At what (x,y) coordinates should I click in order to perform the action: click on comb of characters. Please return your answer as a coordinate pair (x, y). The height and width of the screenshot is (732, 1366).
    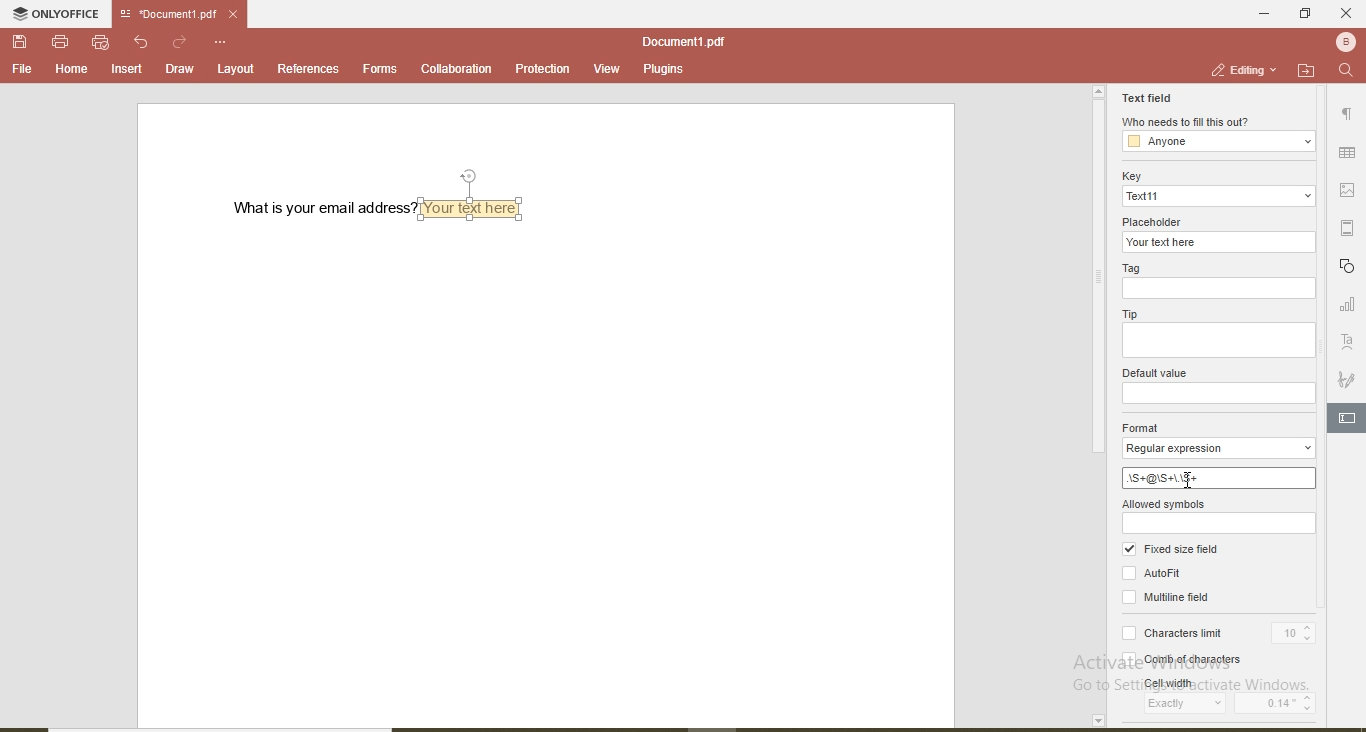
    Looking at the image, I should click on (1175, 656).